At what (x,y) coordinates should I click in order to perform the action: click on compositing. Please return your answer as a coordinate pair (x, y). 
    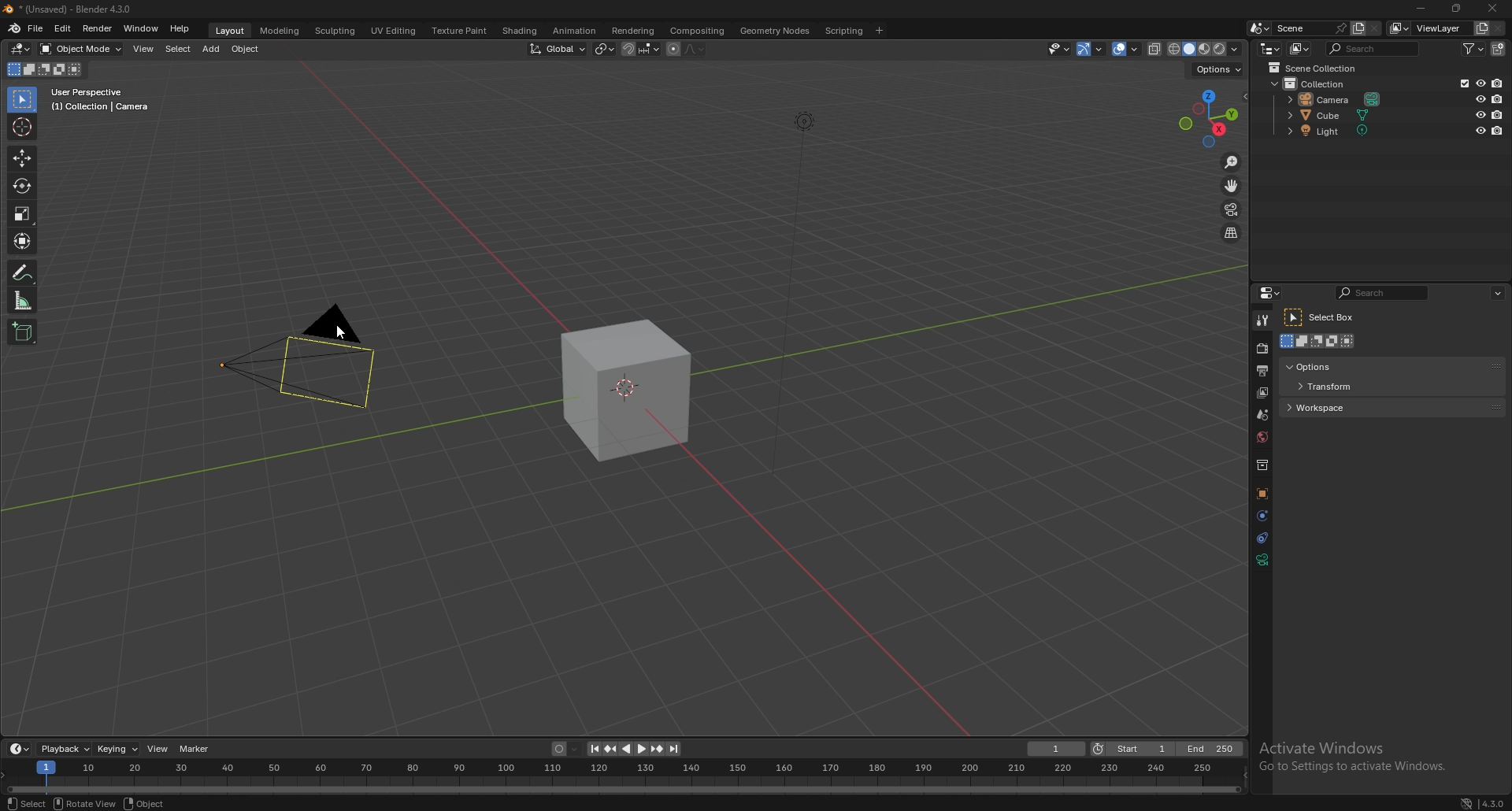
    Looking at the image, I should click on (698, 31).